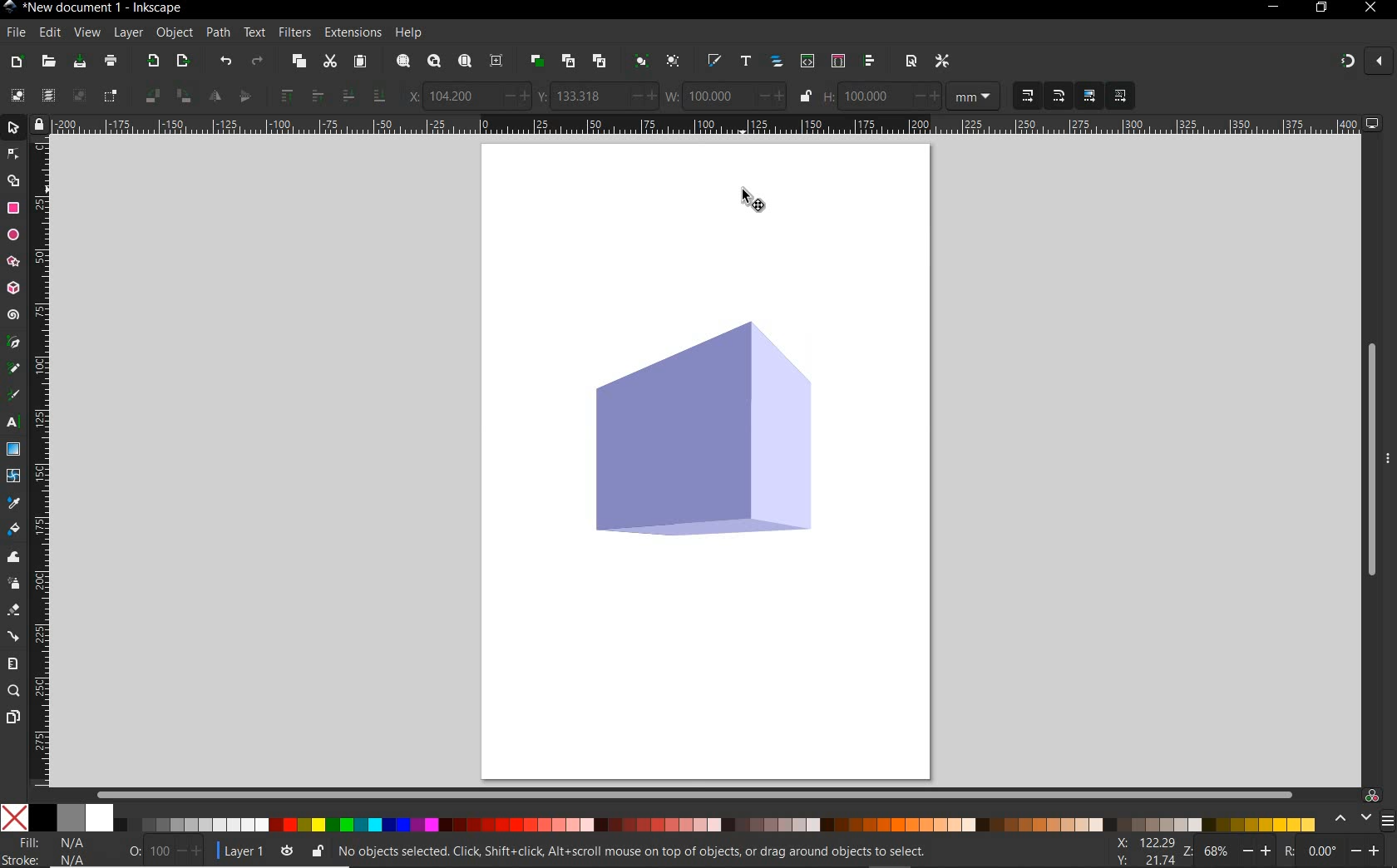 Image resolution: width=1397 pixels, height=868 pixels. Describe the element at coordinates (1321, 851) in the screenshot. I see `0` at that location.